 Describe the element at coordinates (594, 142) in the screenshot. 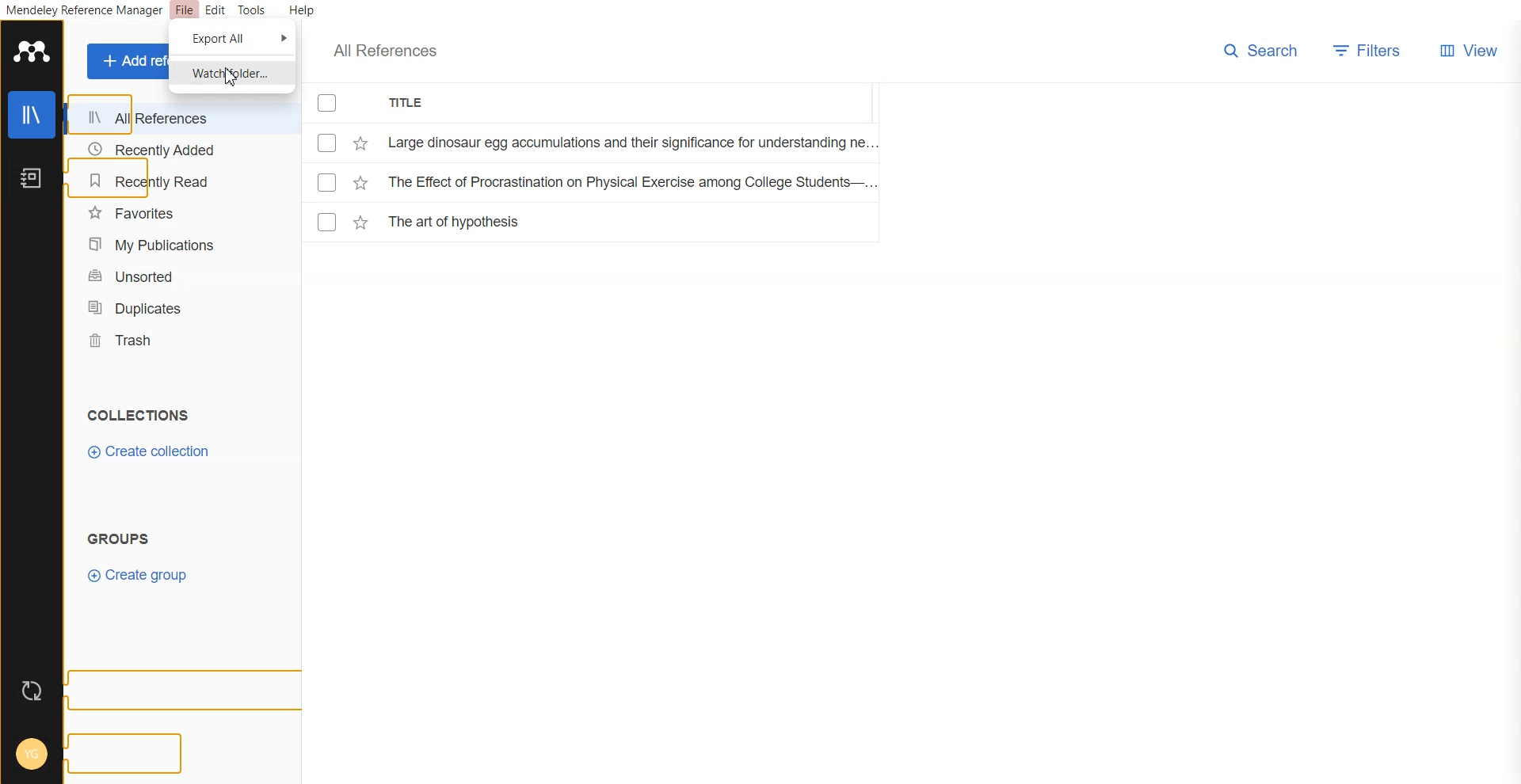

I see `File` at that location.